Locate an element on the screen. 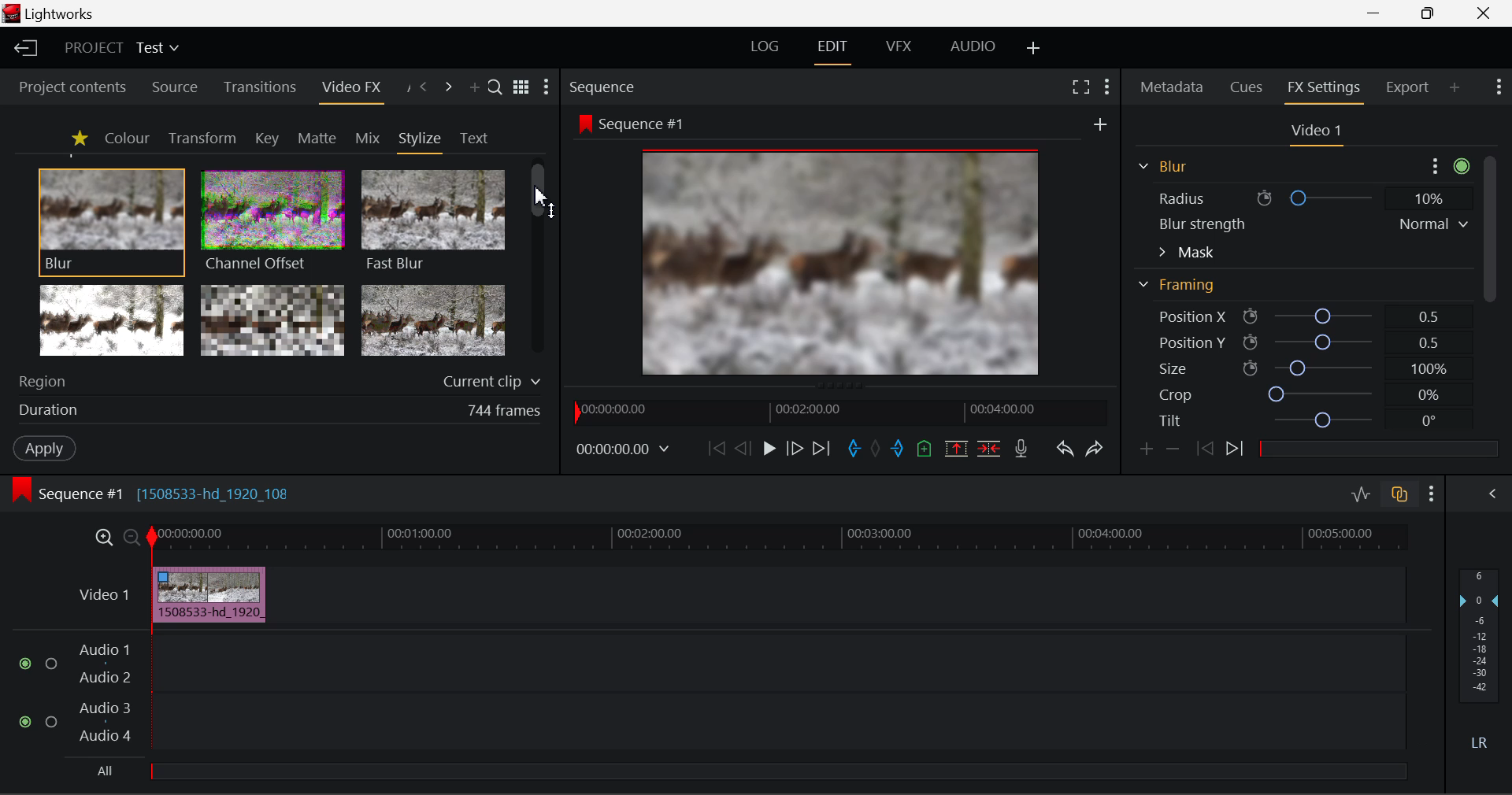  Video FX Panel Open is located at coordinates (355, 89).